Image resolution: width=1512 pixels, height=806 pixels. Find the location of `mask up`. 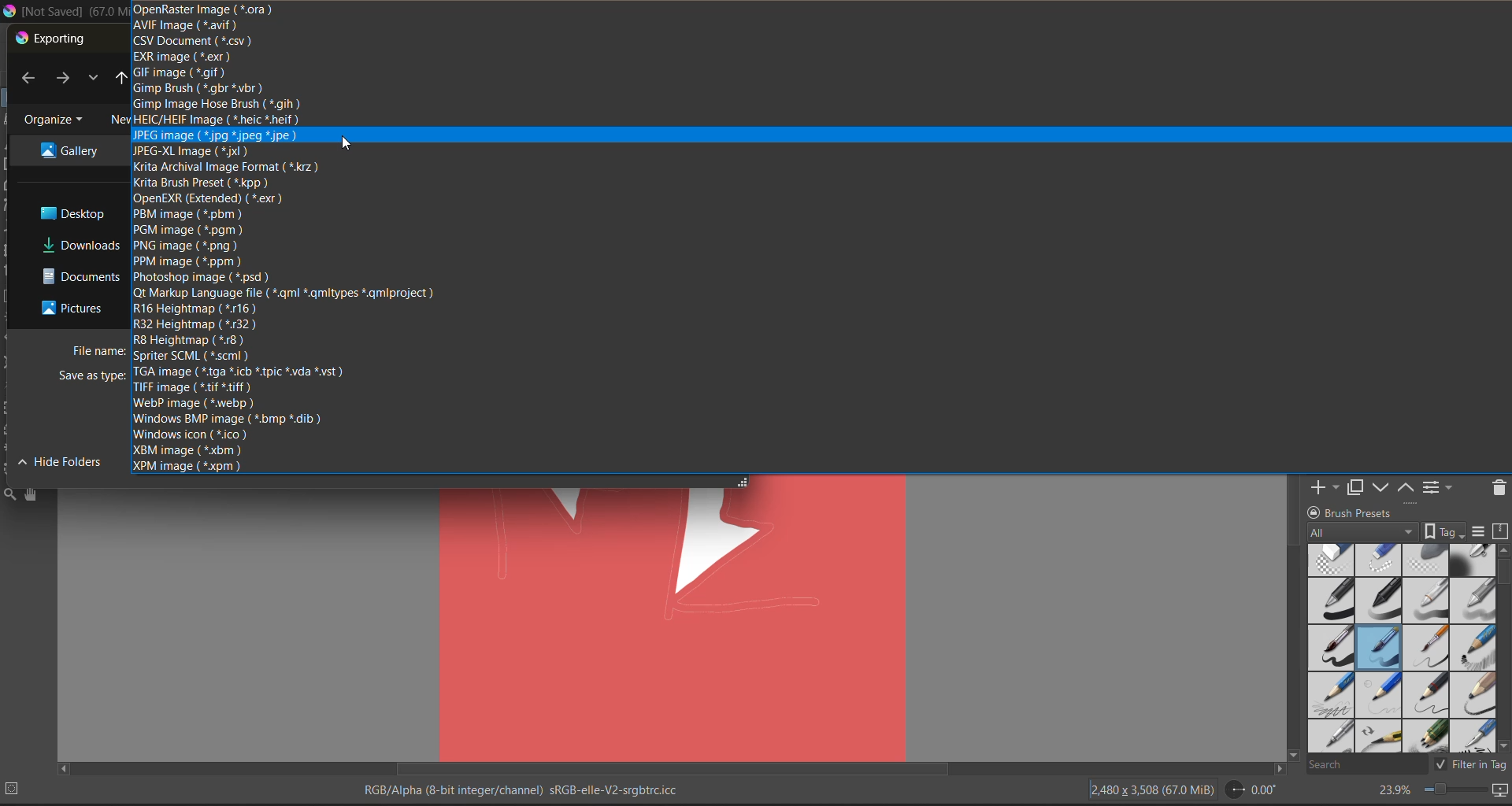

mask up is located at coordinates (1408, 486).